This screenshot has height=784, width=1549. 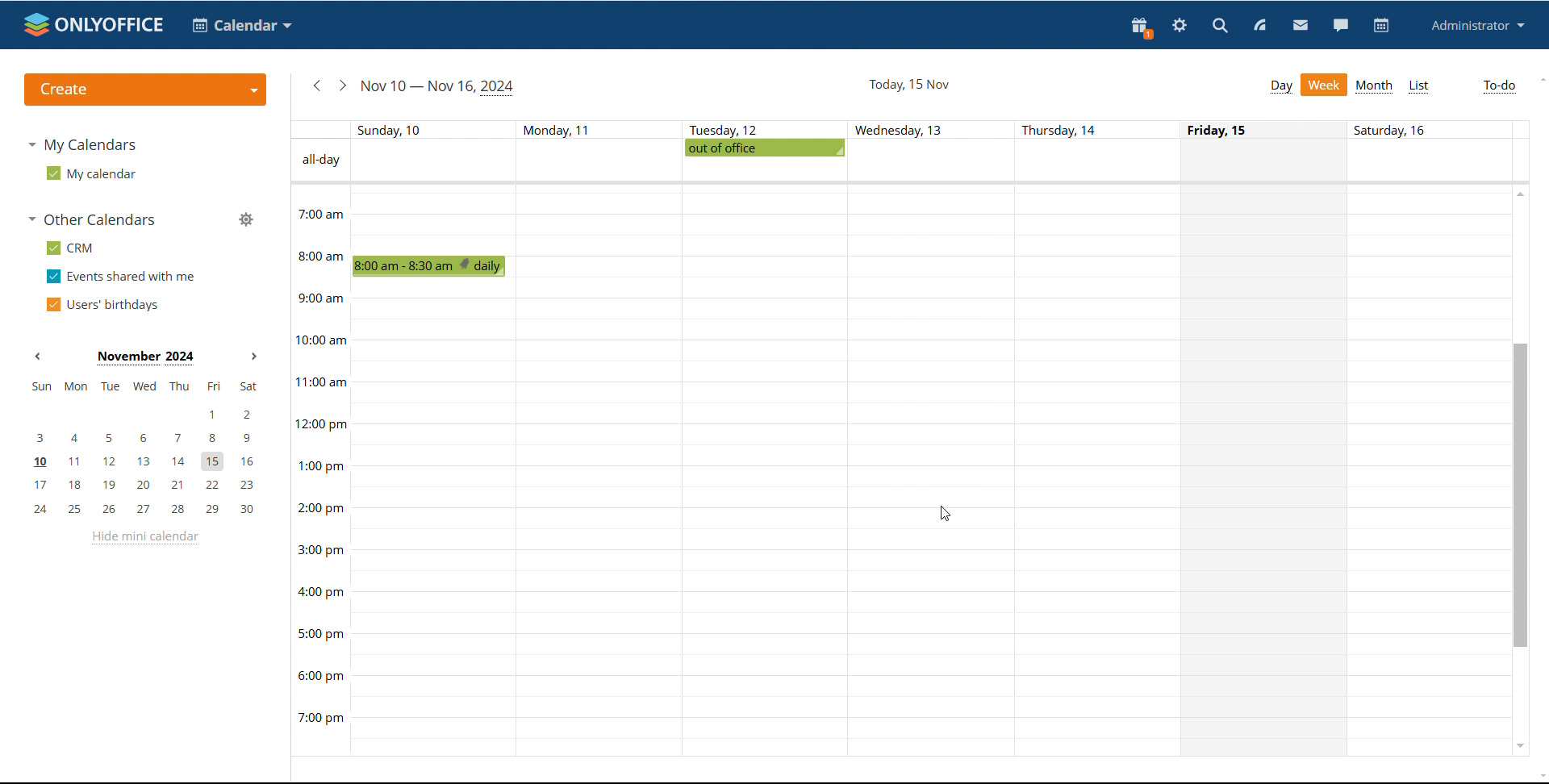 I want to click on crm, so click(x=70, y=248).